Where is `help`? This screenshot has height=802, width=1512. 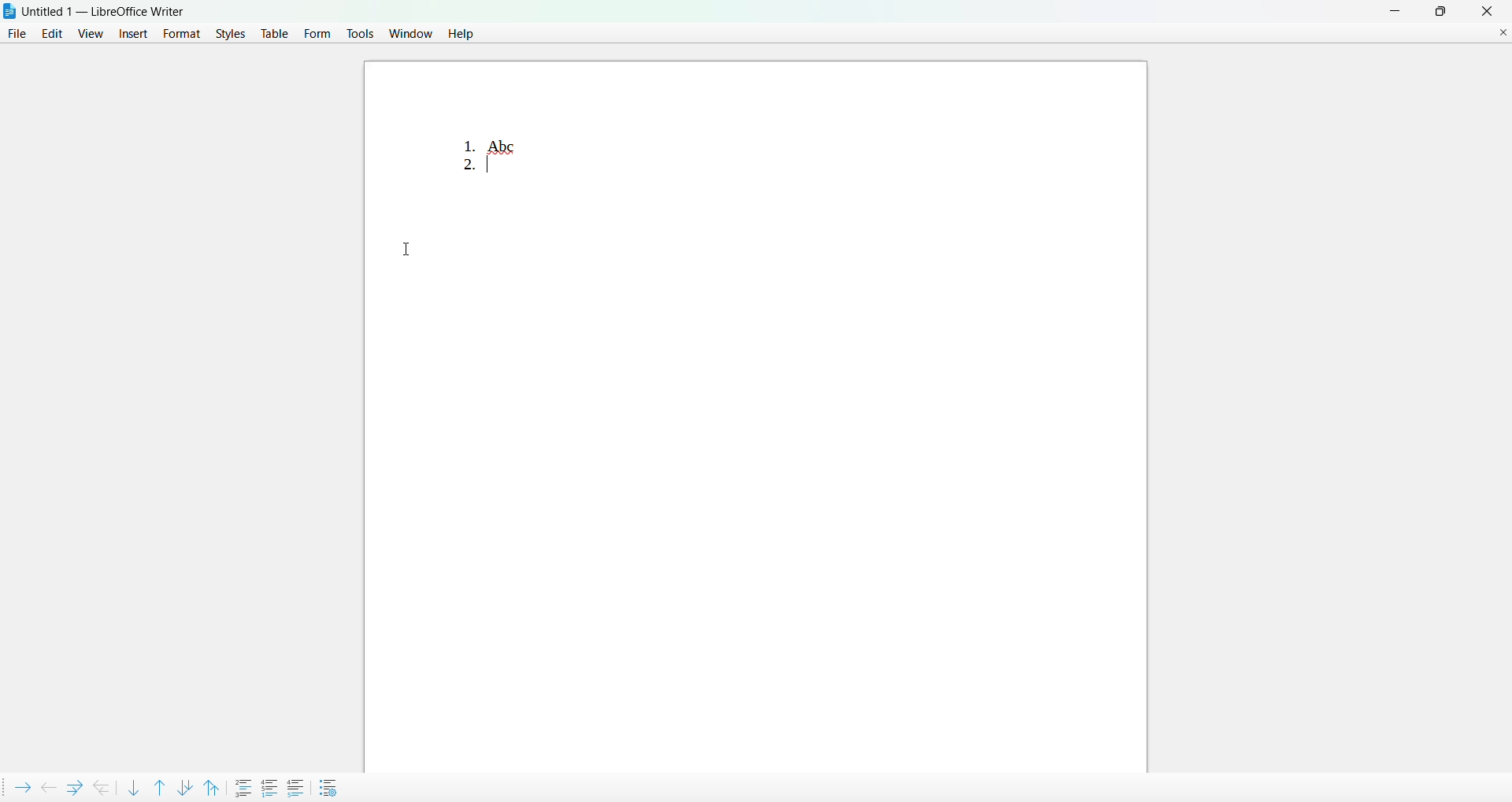
help is located at coordinates (459, 35).